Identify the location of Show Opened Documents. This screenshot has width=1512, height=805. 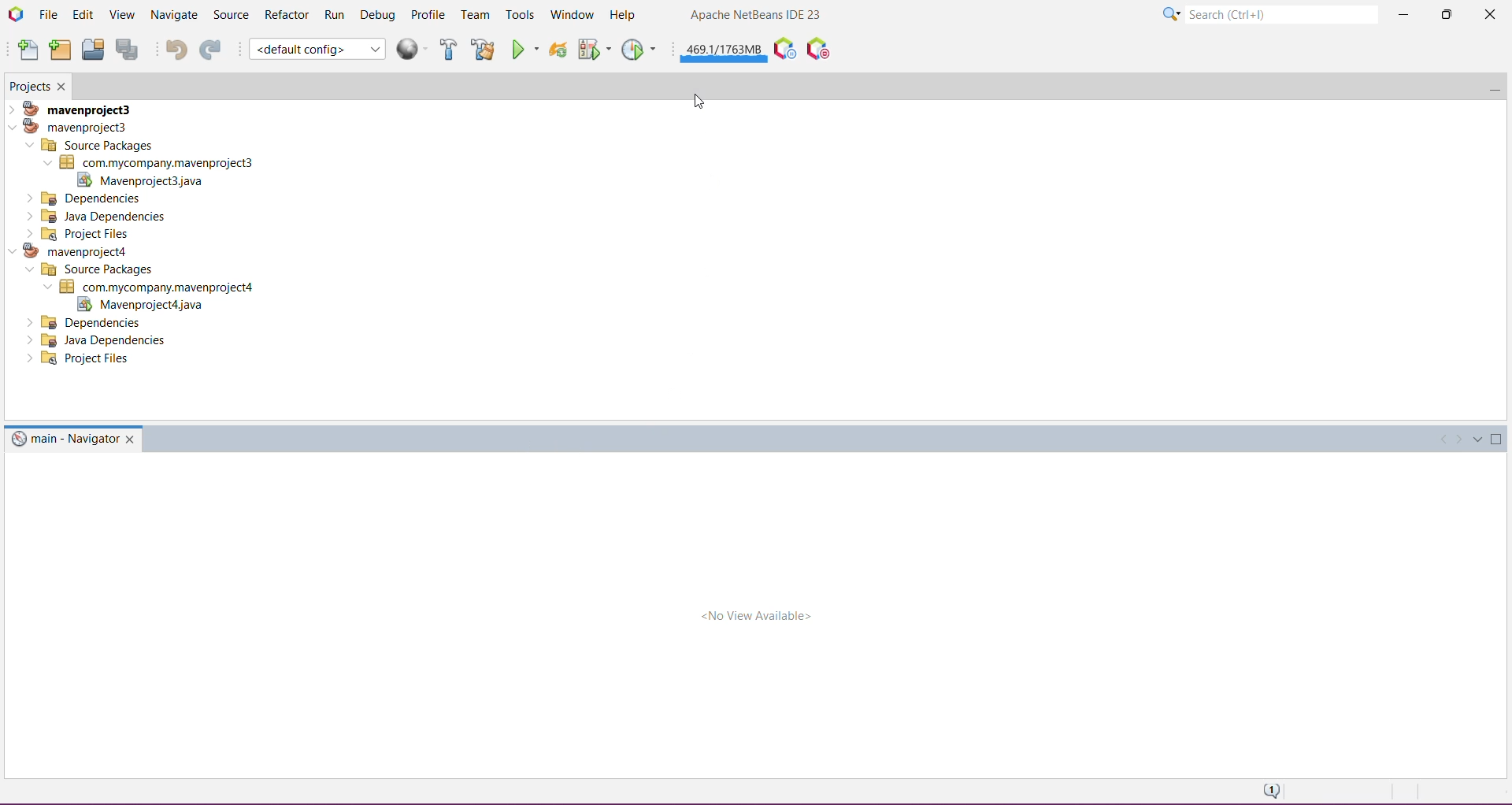
(1478, 440).